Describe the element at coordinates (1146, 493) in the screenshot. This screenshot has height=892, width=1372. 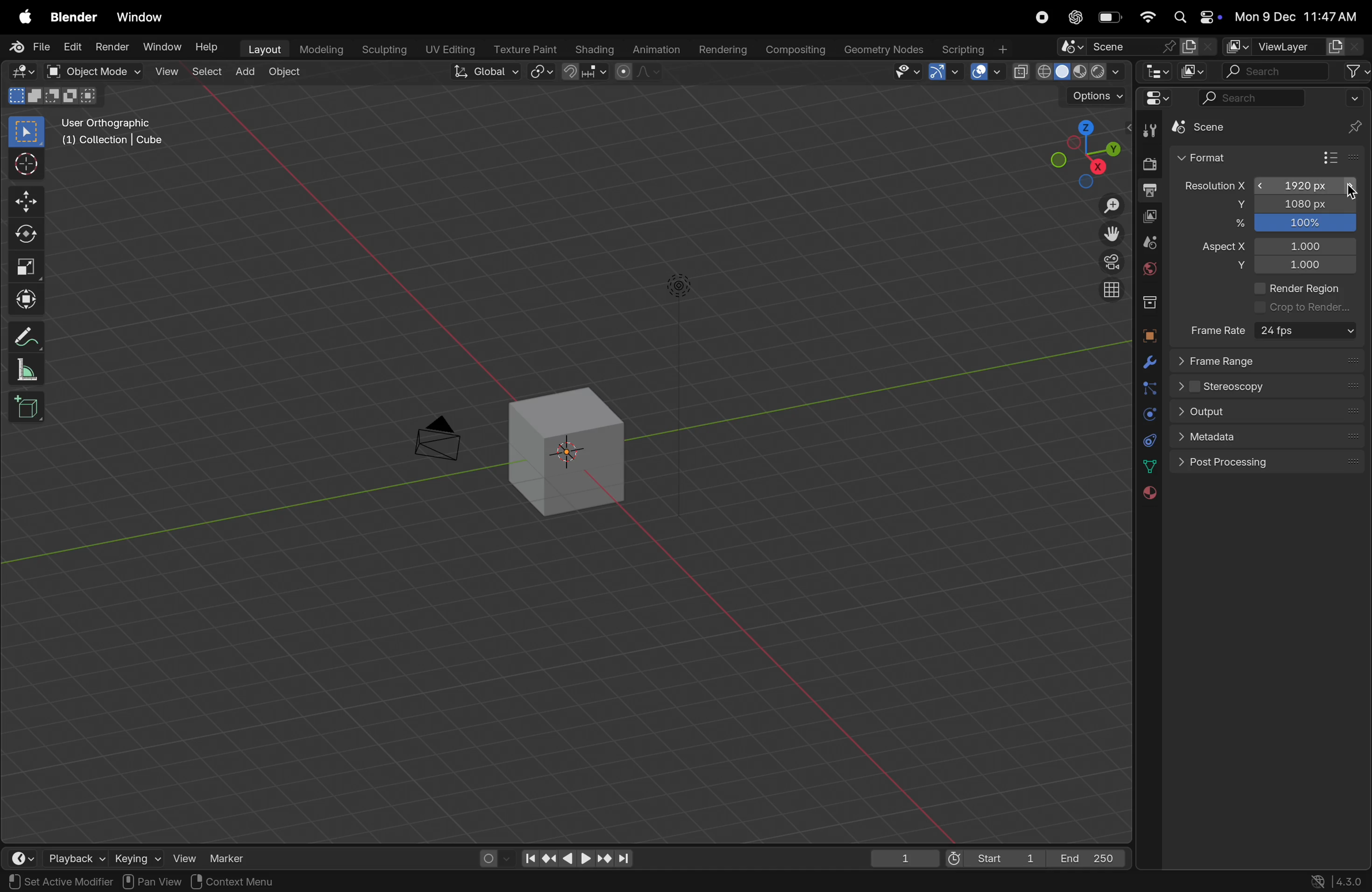
I see `material` at that location.